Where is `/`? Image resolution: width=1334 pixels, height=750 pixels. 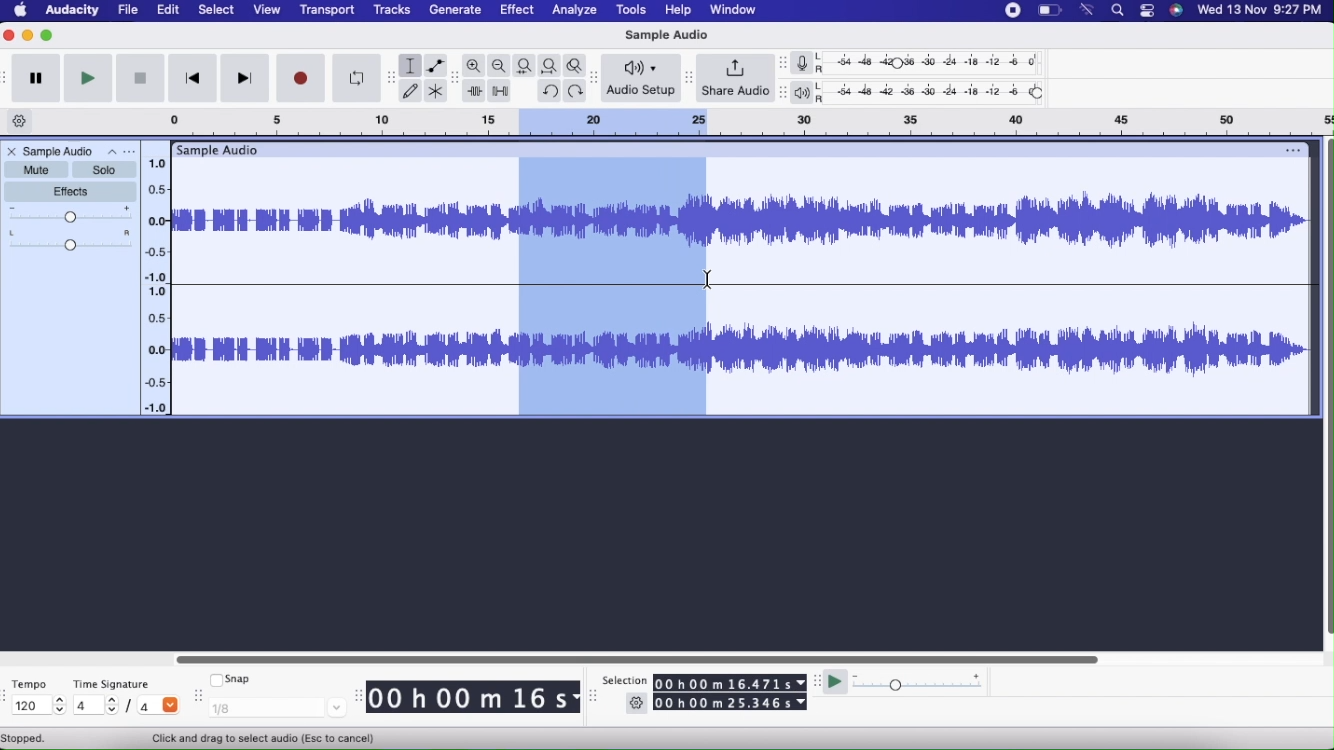
/ is located at coordinates (132, 709).